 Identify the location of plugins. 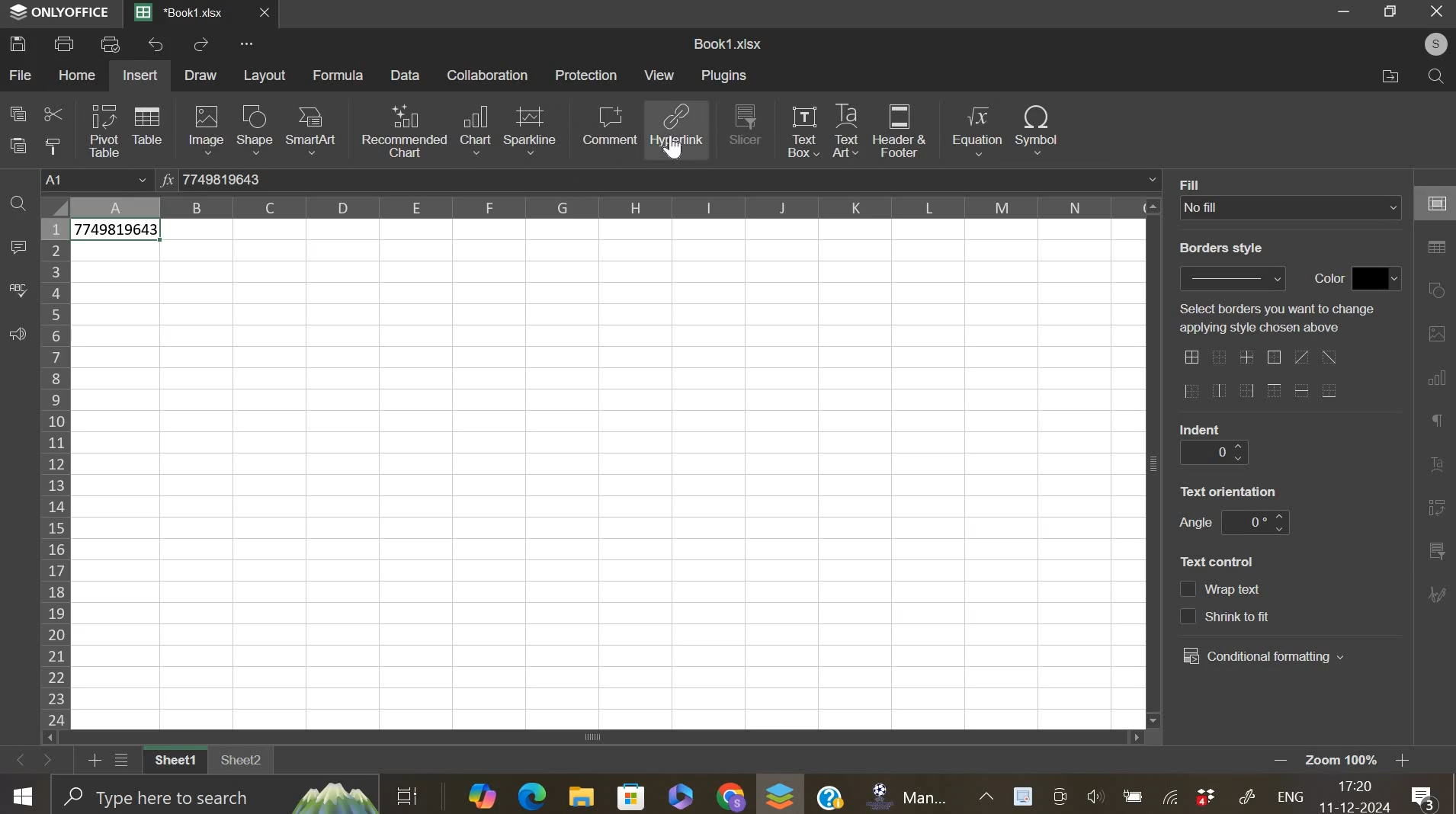
(723, 75).